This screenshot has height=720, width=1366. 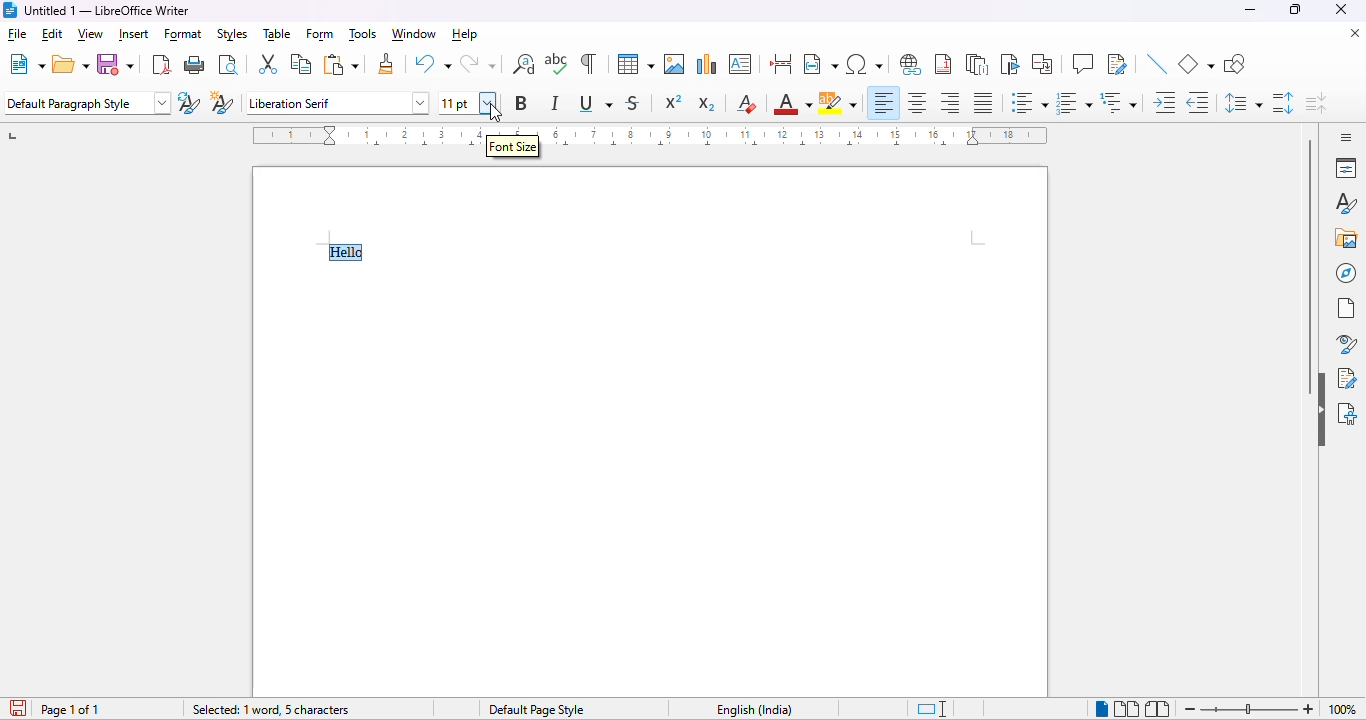 What do you see at coordinates (1345, 710) in the screenshot?
I see `zoom factor` at bounding box center [1345, 710].